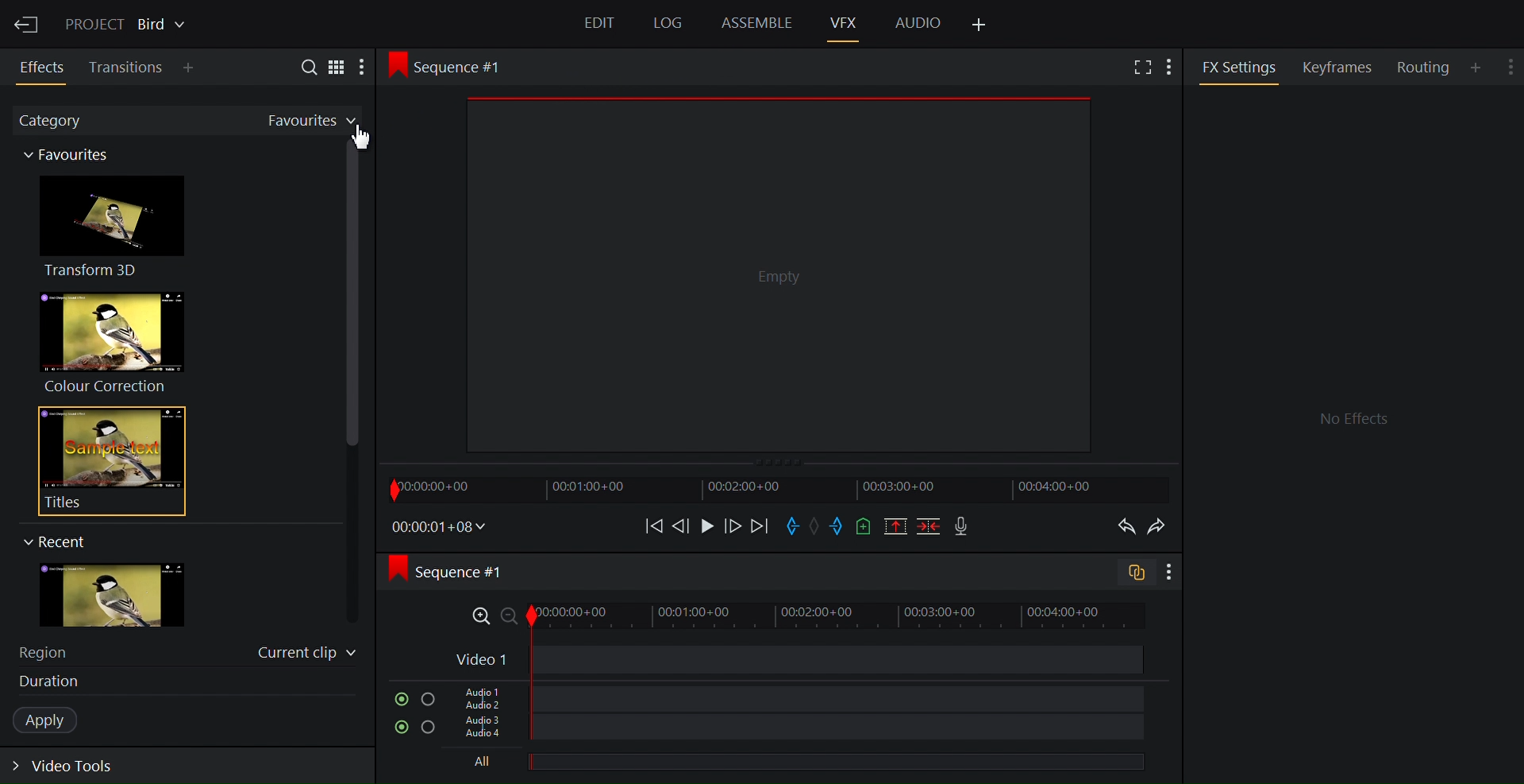 This screenshot has width=1524, height=784. Describe the element at coordinates (1163, 526) in the screenshot. I see `Redo` at that location.